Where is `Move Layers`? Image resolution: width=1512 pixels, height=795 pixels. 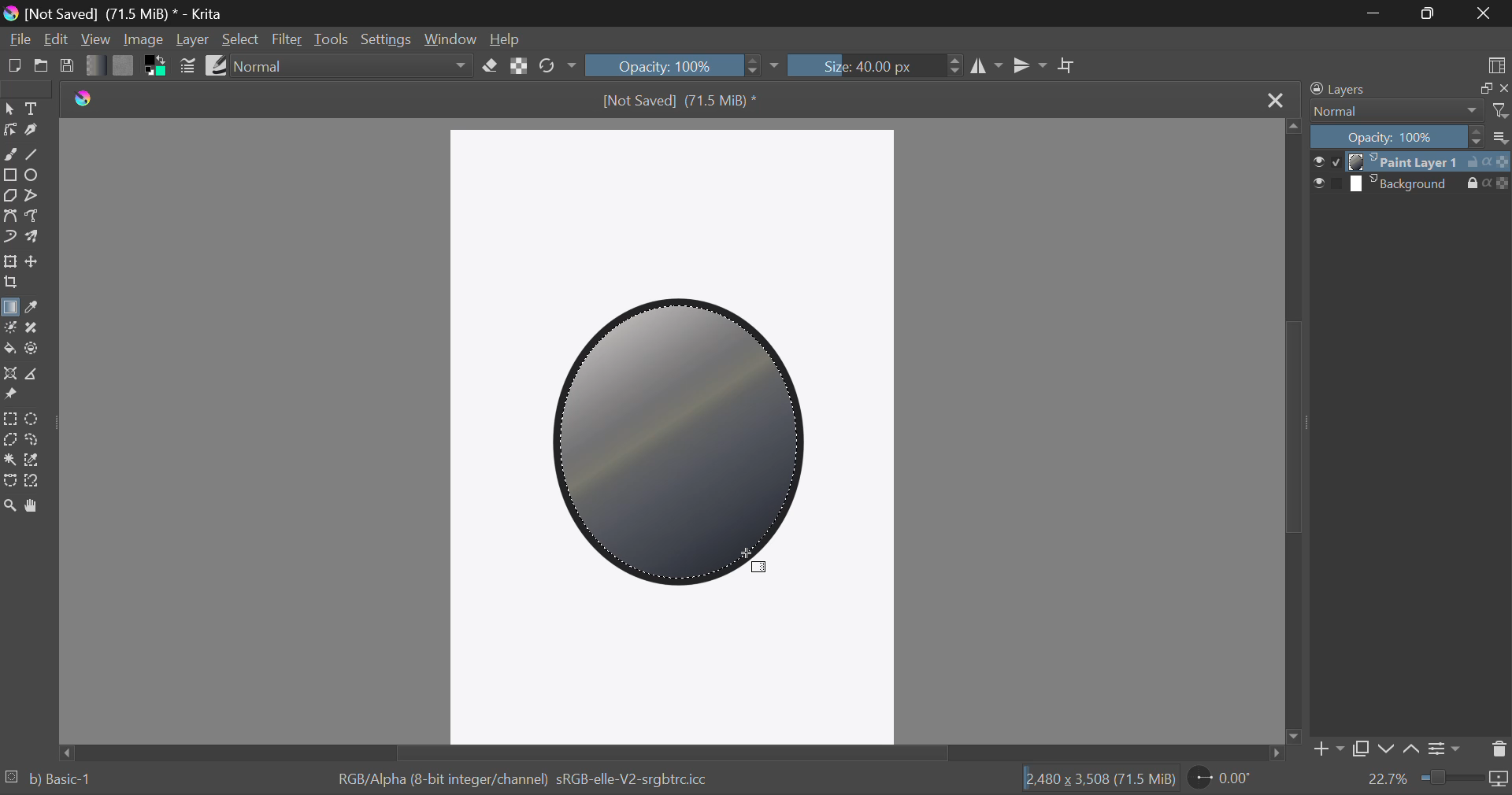
Move Layers is located at coordinates (35, 264).